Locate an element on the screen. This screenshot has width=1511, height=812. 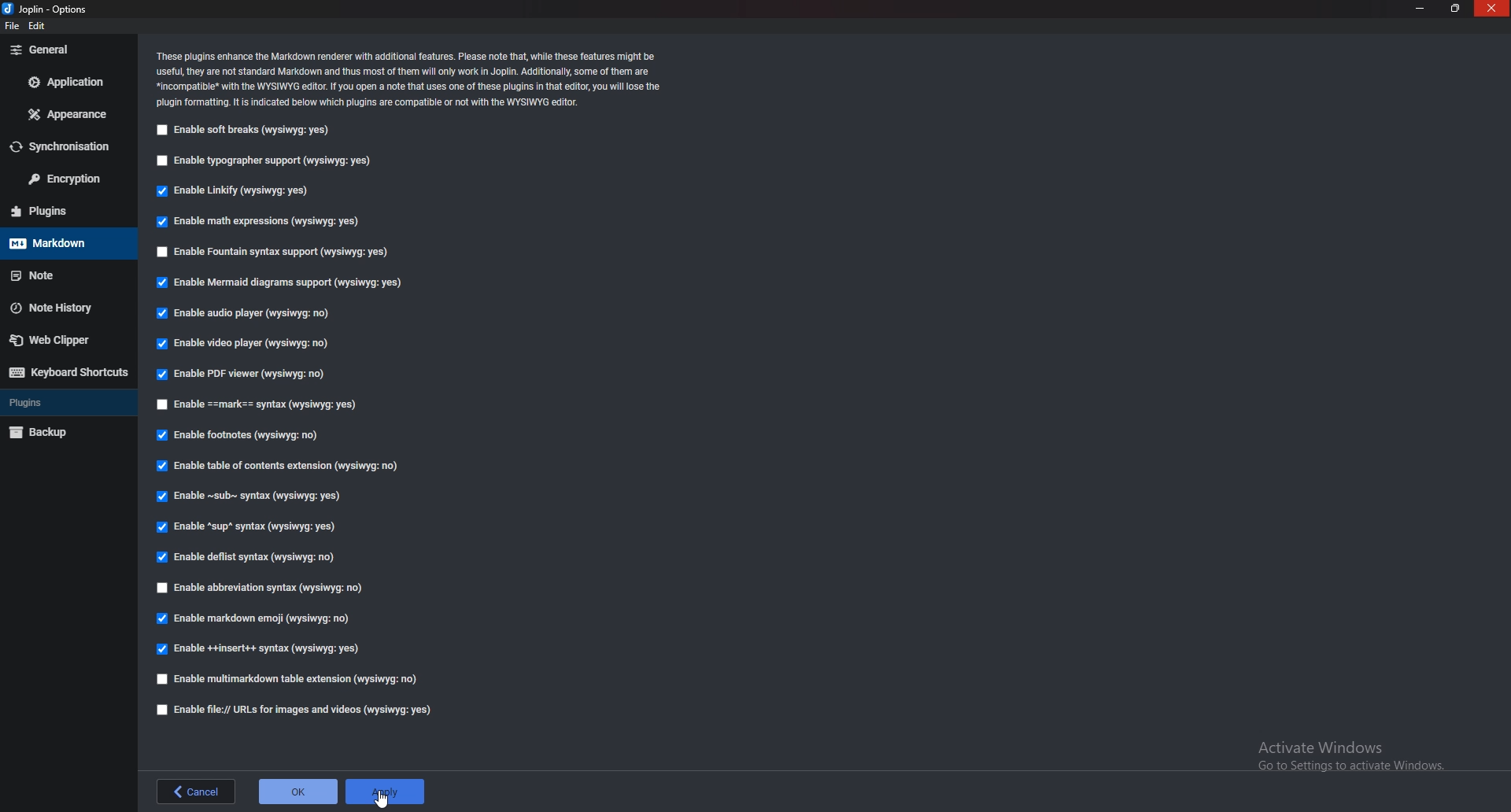
Enable fountain syntax support is located at coordinates (275, 251).